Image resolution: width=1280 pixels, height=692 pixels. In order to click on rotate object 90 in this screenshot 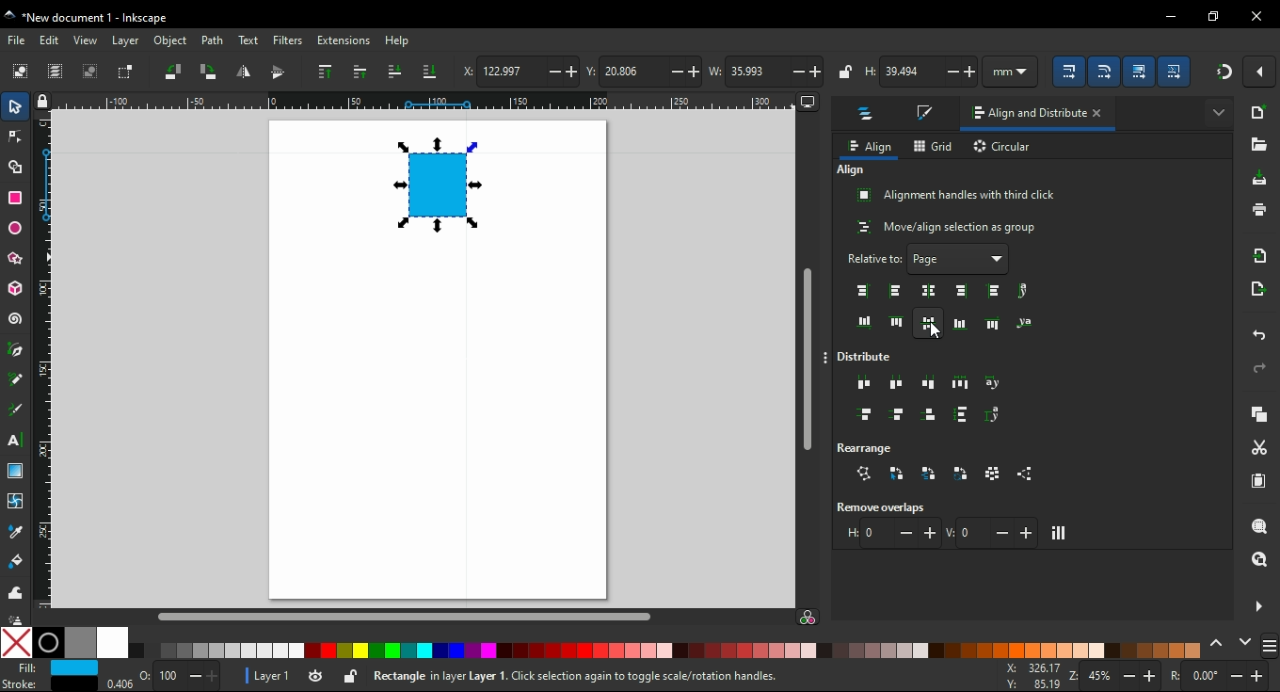, I will do `click(210, 71)`.